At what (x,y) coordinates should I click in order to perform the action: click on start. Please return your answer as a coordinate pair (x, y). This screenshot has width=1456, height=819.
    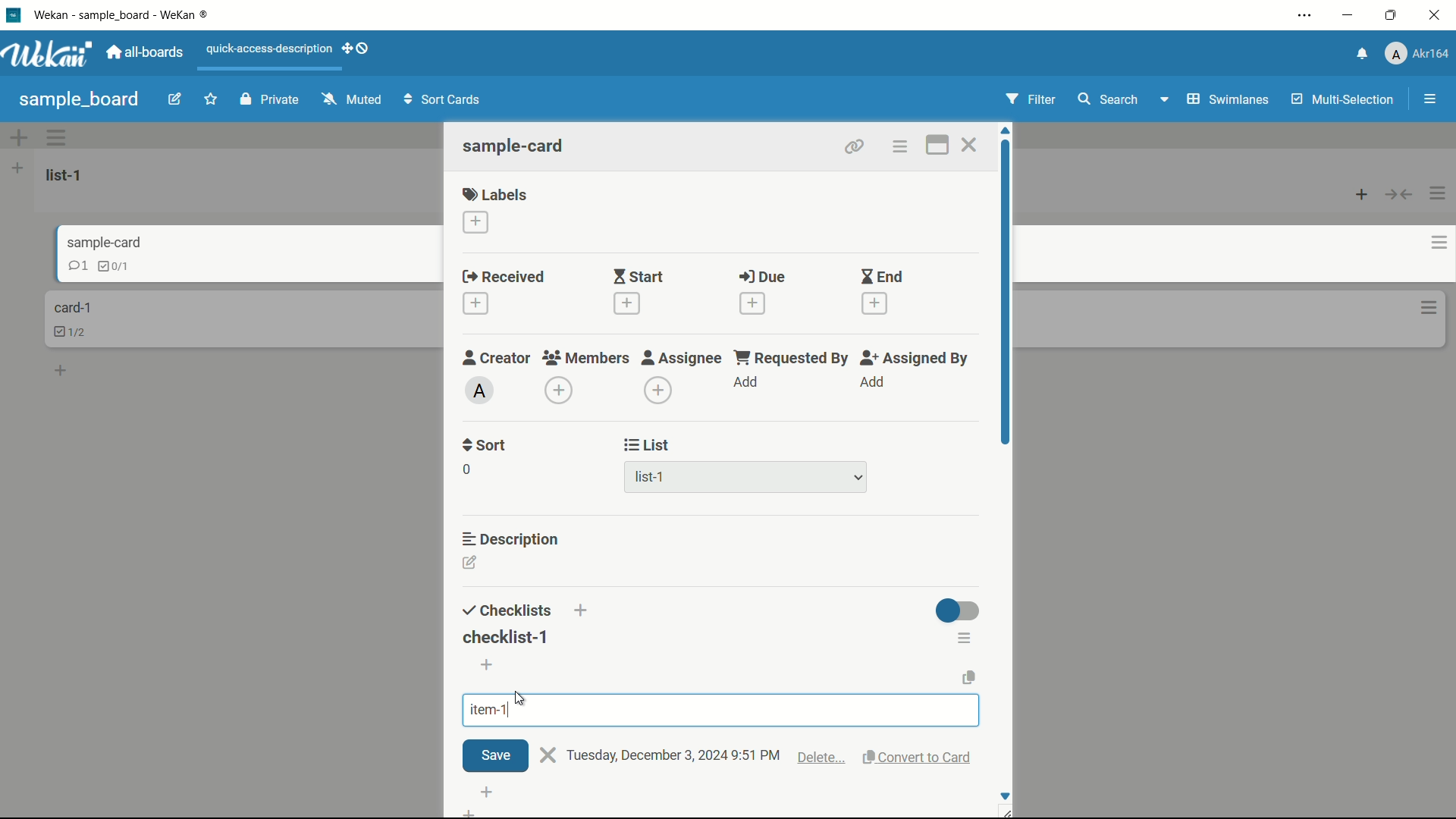
    Looking at the image, I should click on (640, 276).